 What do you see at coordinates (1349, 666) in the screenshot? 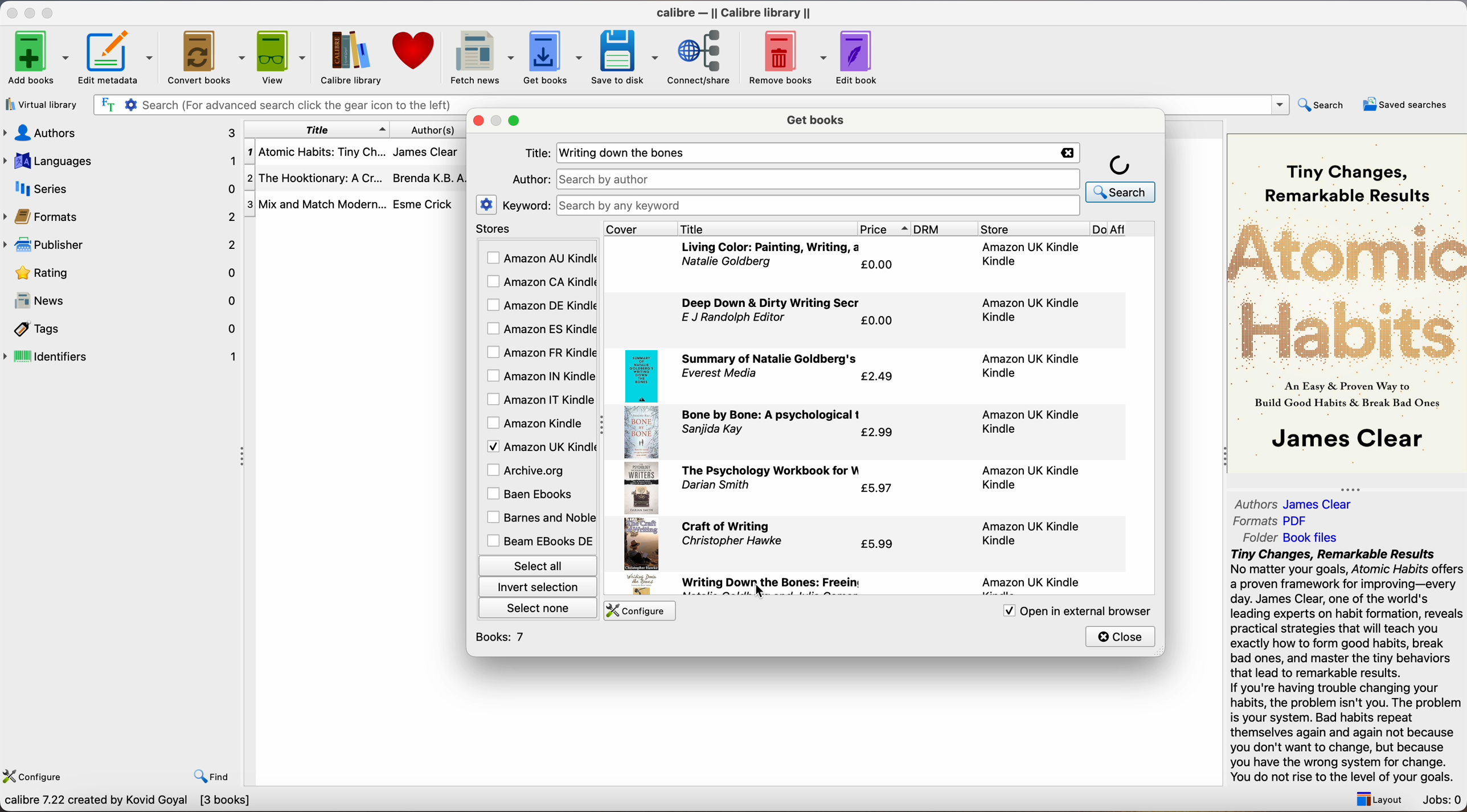
I see `synopsis` at bounding box center [1349, 666].